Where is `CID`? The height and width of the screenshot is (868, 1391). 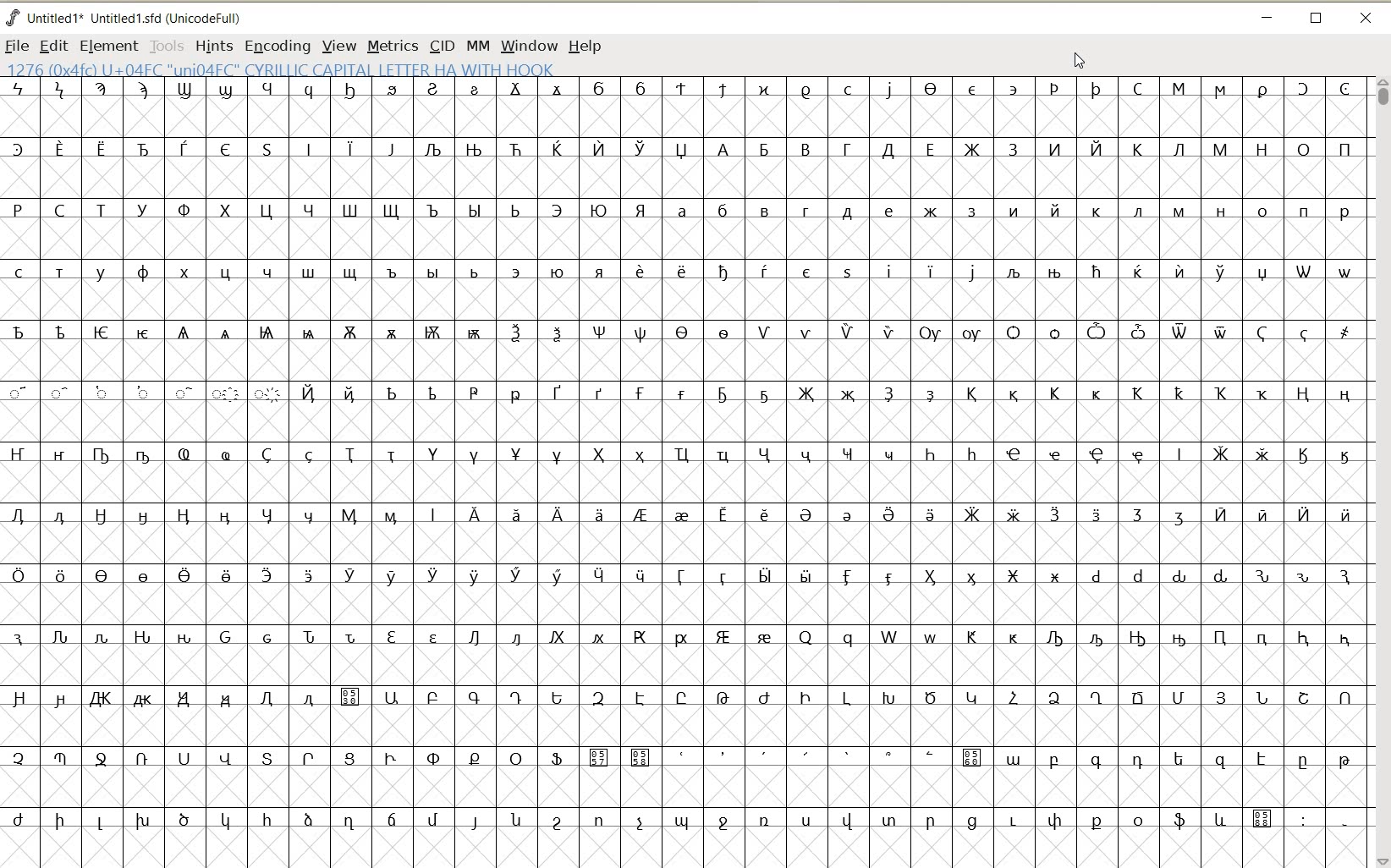
CID is located at coordinates (443, 45).